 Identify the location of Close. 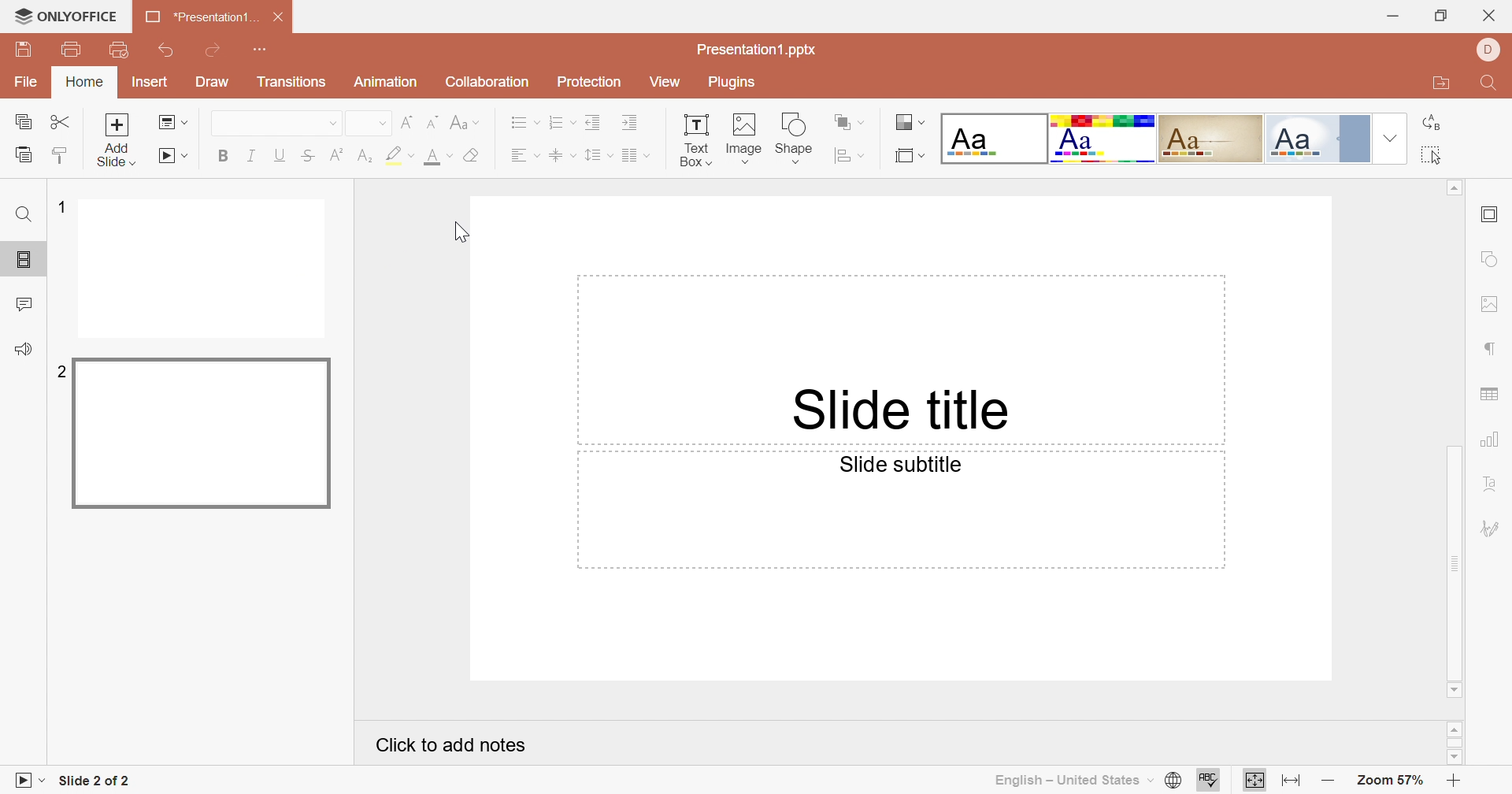
(1489, 15).